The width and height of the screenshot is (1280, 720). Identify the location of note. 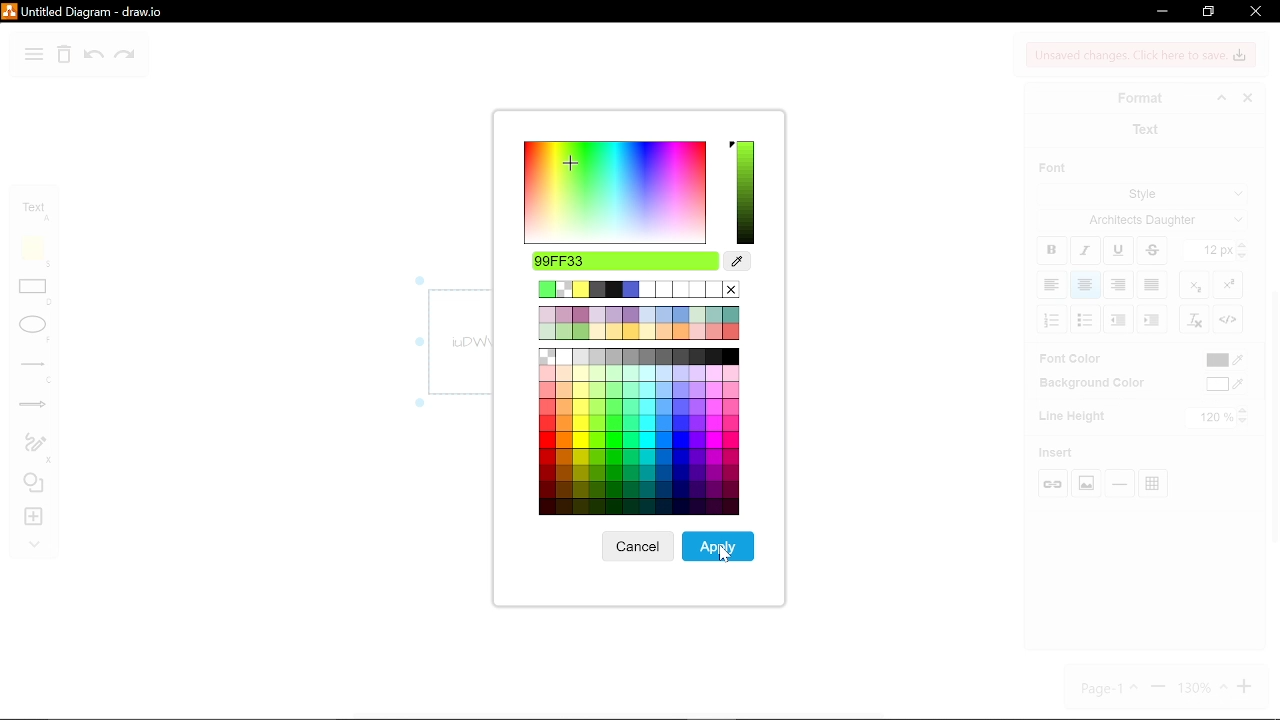
(29, 248).